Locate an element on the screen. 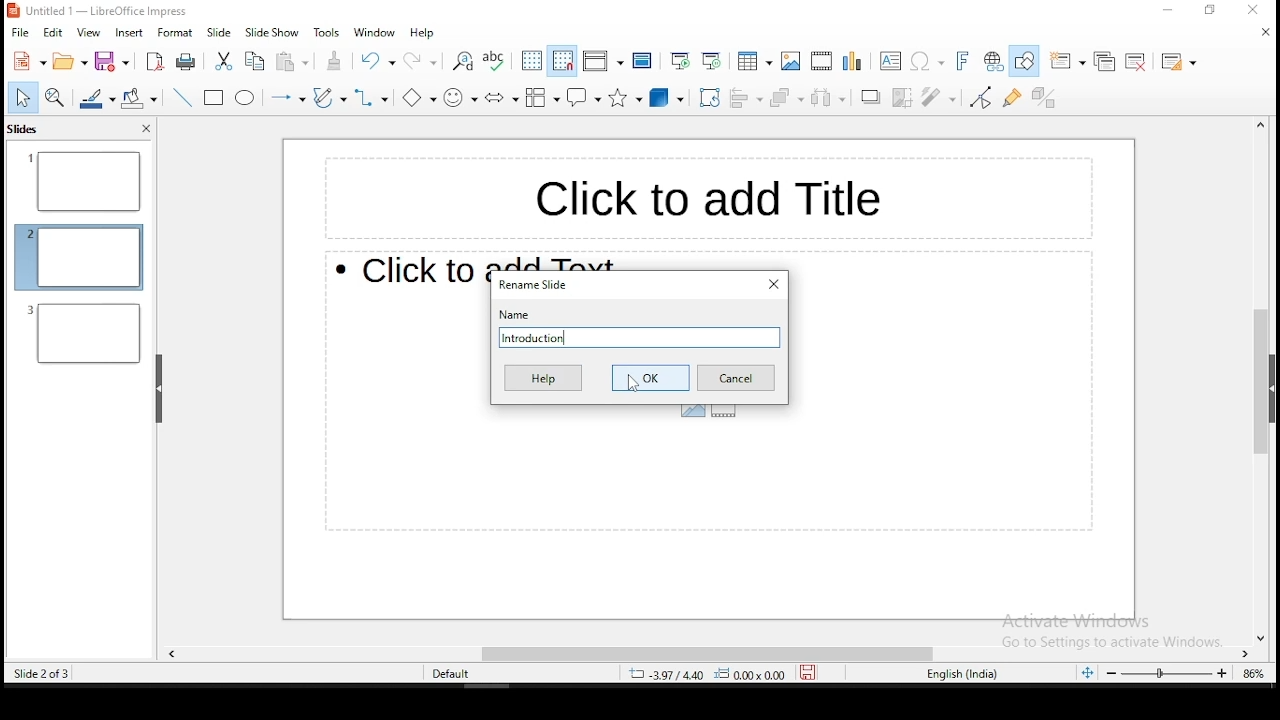 Image resolution: width=1280 pixels, height=720 pixels. callout shape is located at coordinates (584, 97).